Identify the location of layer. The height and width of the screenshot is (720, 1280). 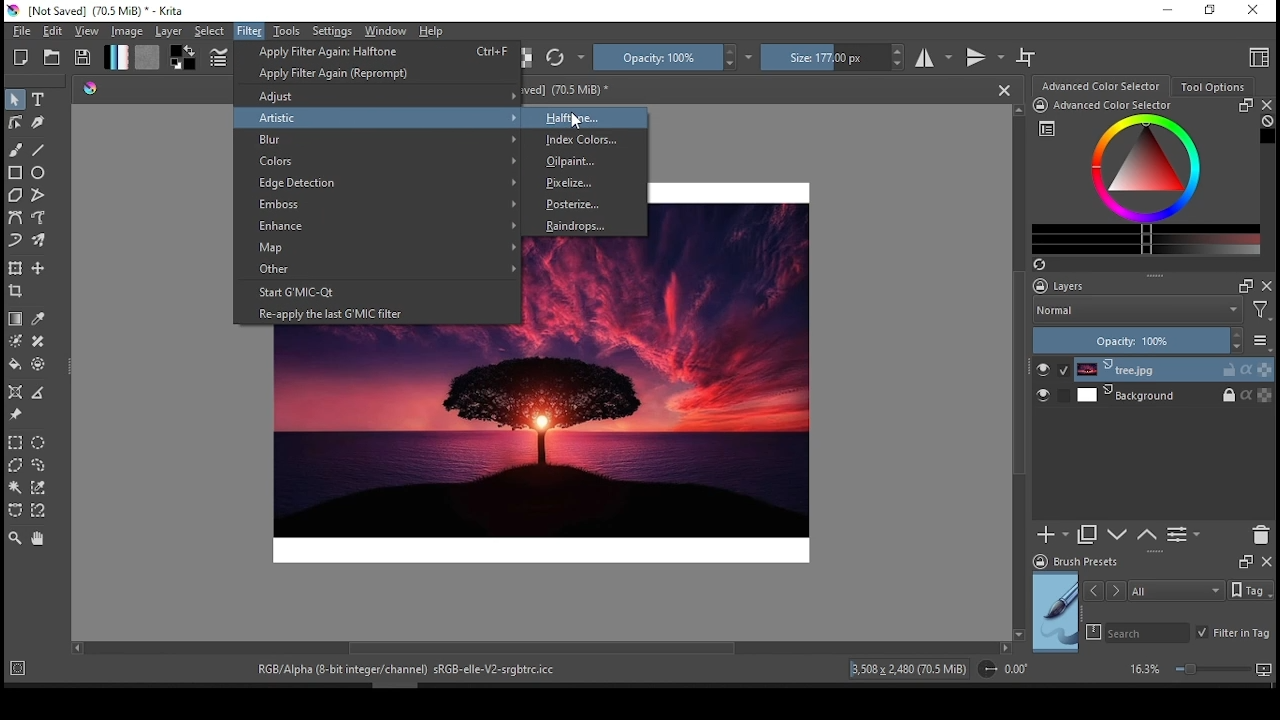
(168, 32).